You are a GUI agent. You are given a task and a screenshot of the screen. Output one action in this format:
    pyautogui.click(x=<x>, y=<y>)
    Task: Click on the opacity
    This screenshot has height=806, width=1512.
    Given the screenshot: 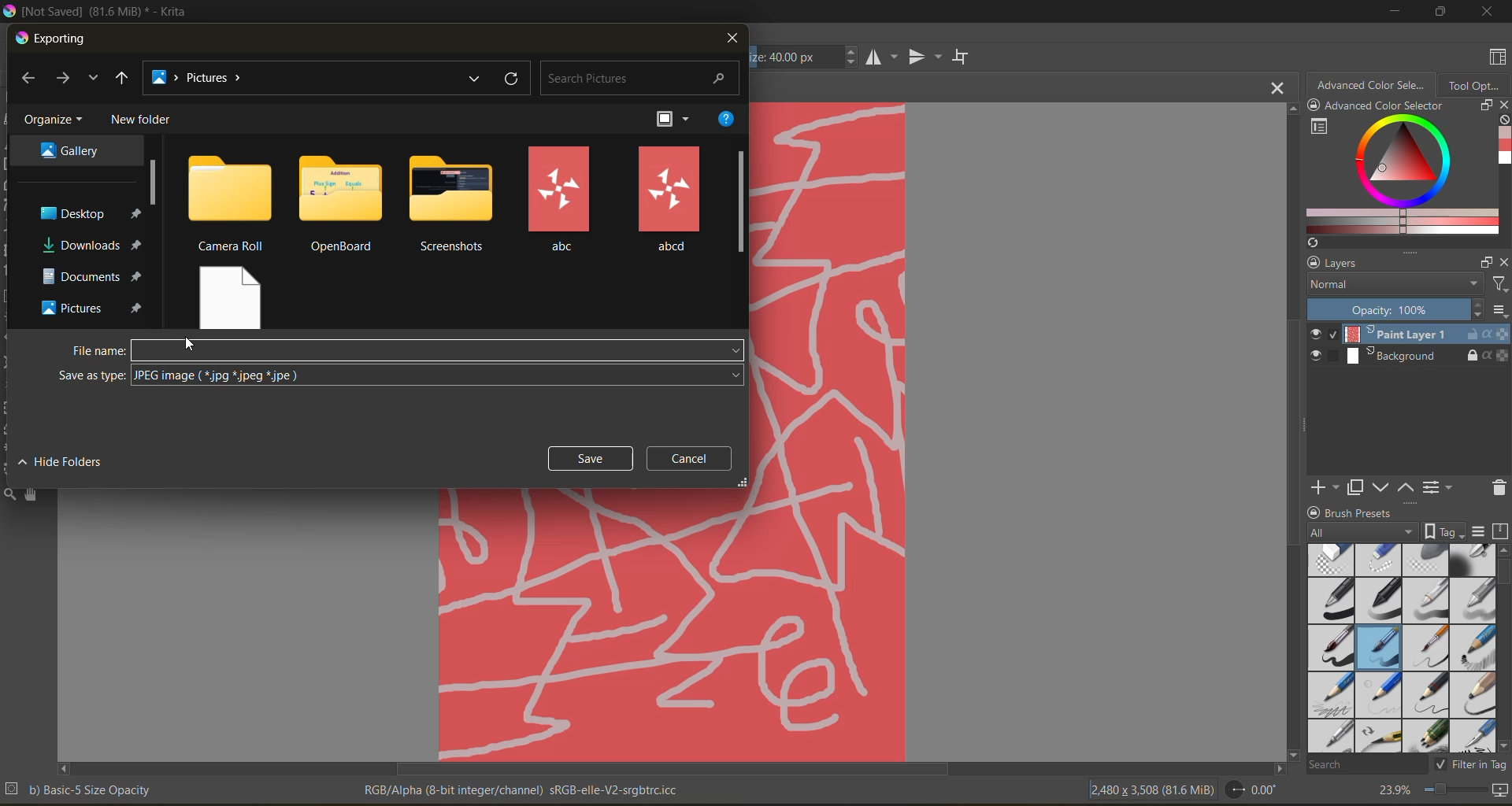 What is the action you would take?
    pyautogui.click(x=1408, y=310)
    